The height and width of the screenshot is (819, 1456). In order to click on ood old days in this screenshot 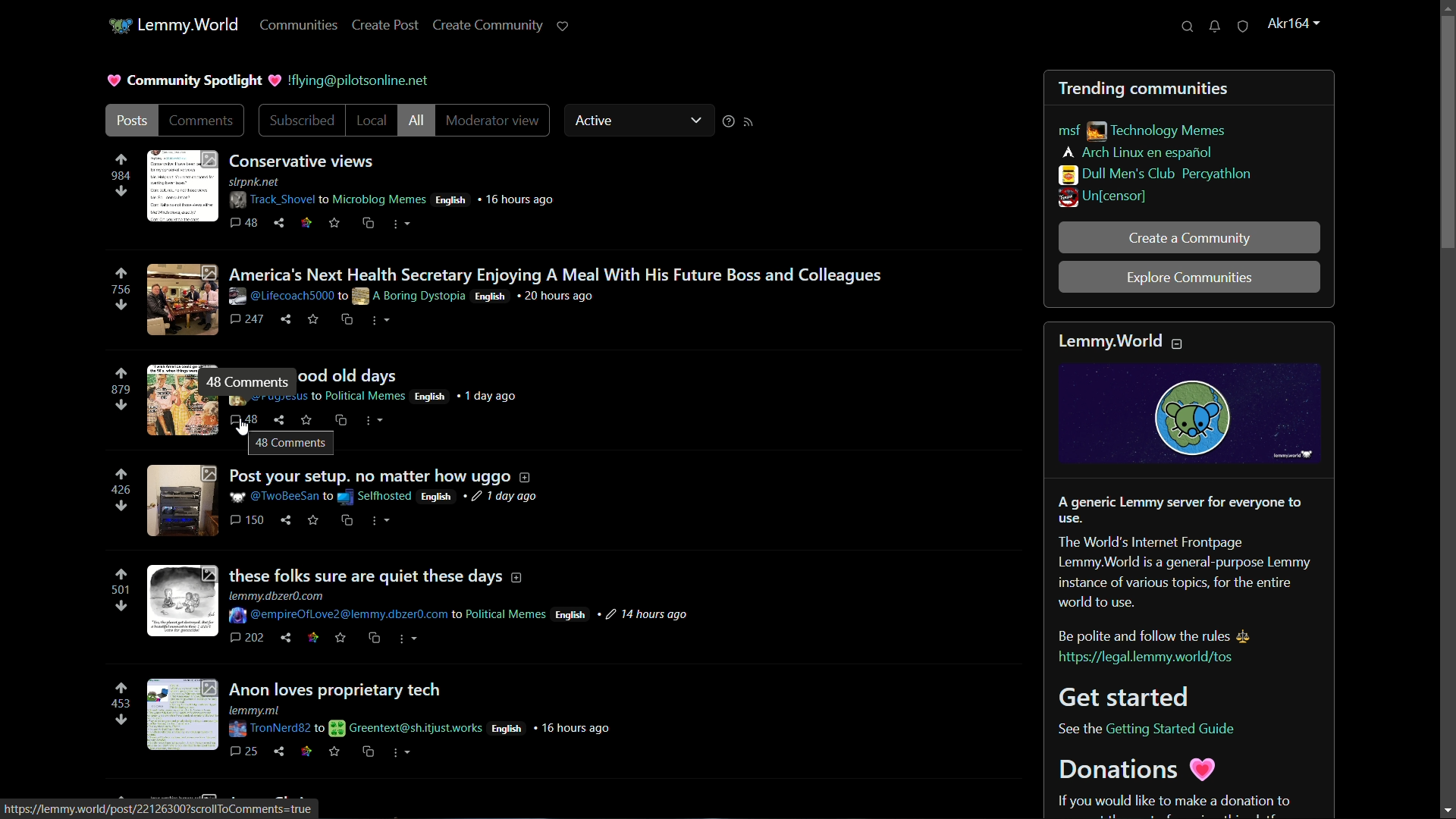, I will do `click(350, 376)`.